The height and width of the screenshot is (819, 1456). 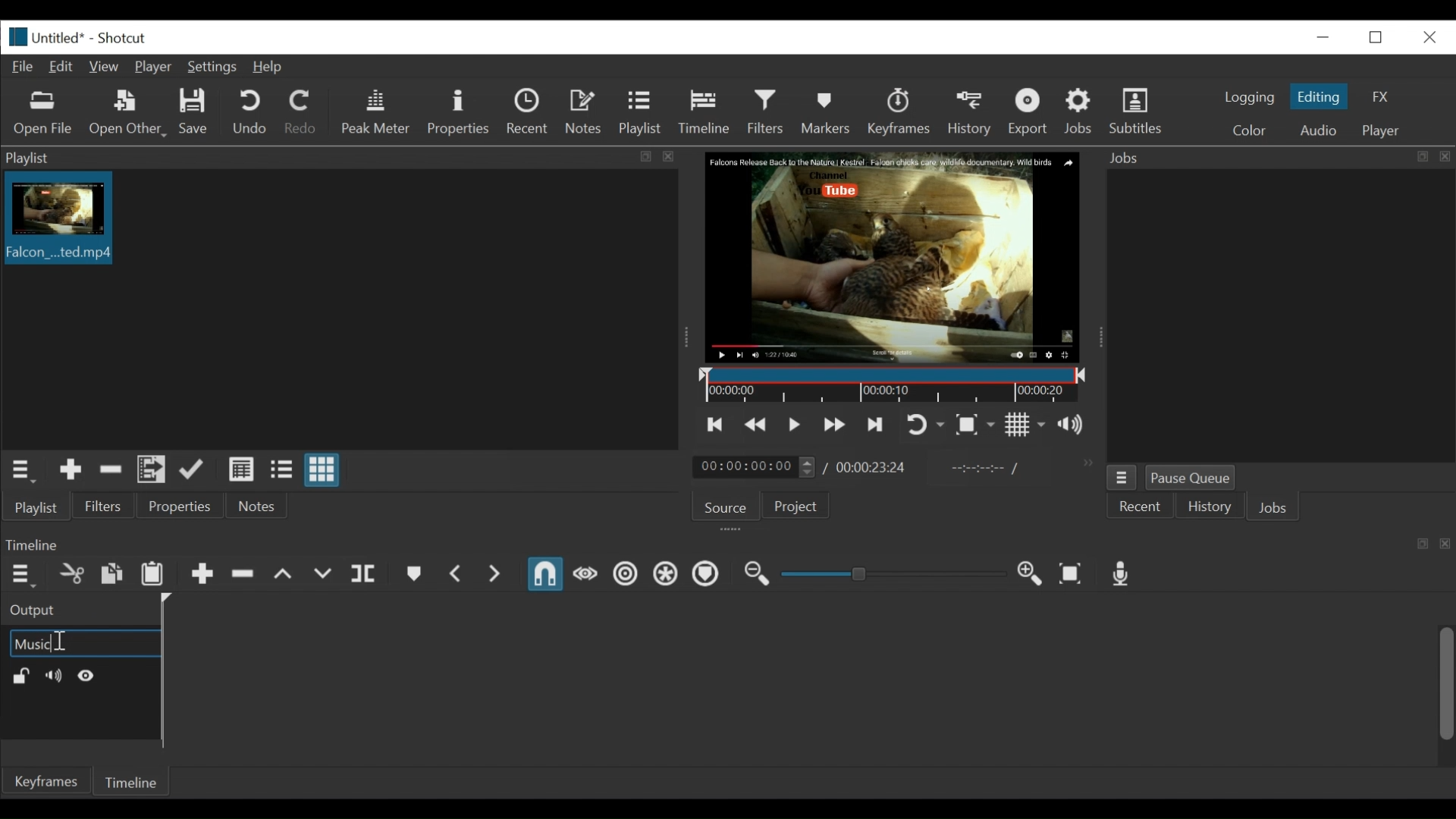 What do you see at coordinates (212, 66) in the screenshot?
I see `Settings` at bounding box center [212, 66].